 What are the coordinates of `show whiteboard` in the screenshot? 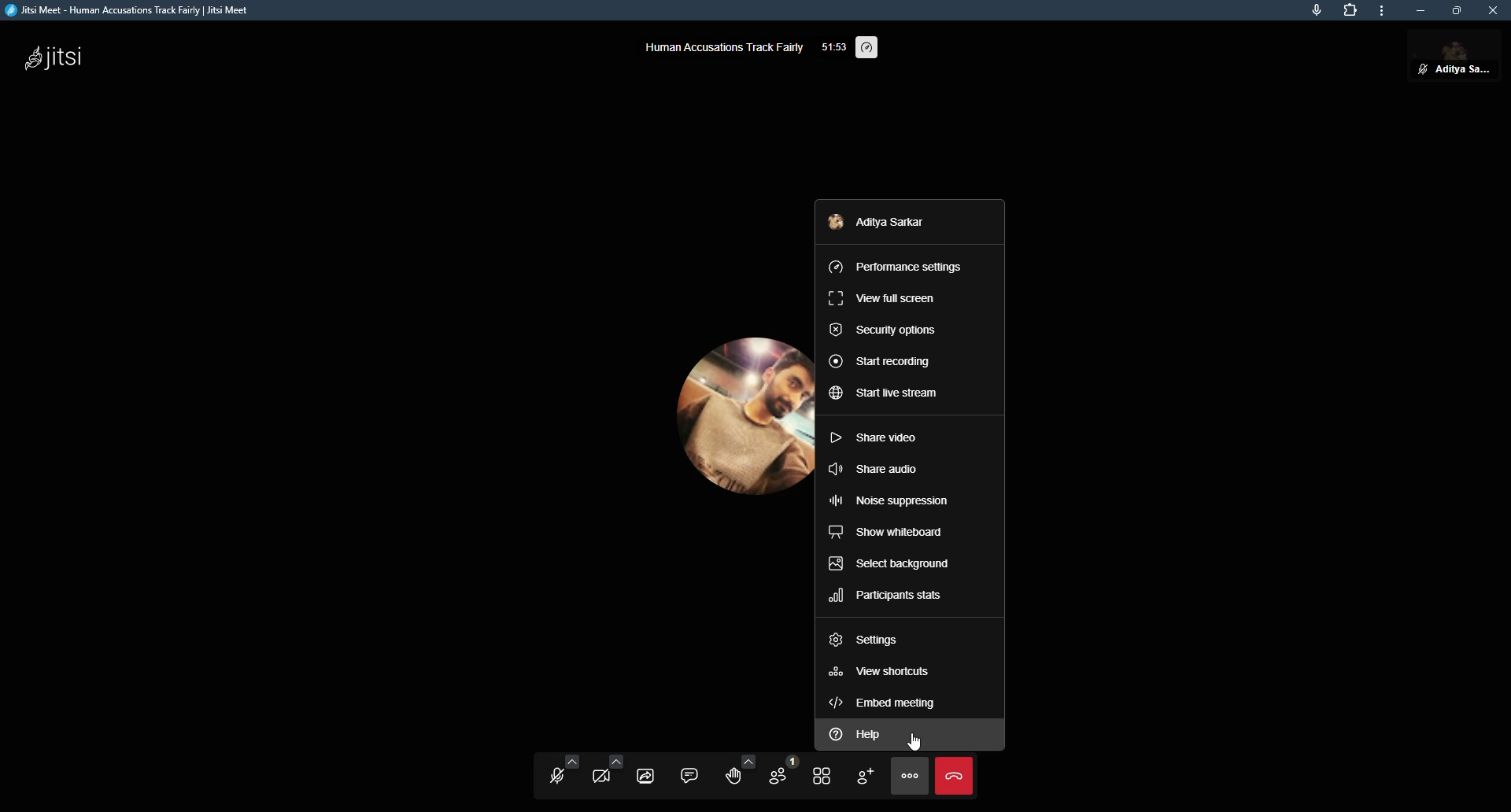 It's located at (884, 531).